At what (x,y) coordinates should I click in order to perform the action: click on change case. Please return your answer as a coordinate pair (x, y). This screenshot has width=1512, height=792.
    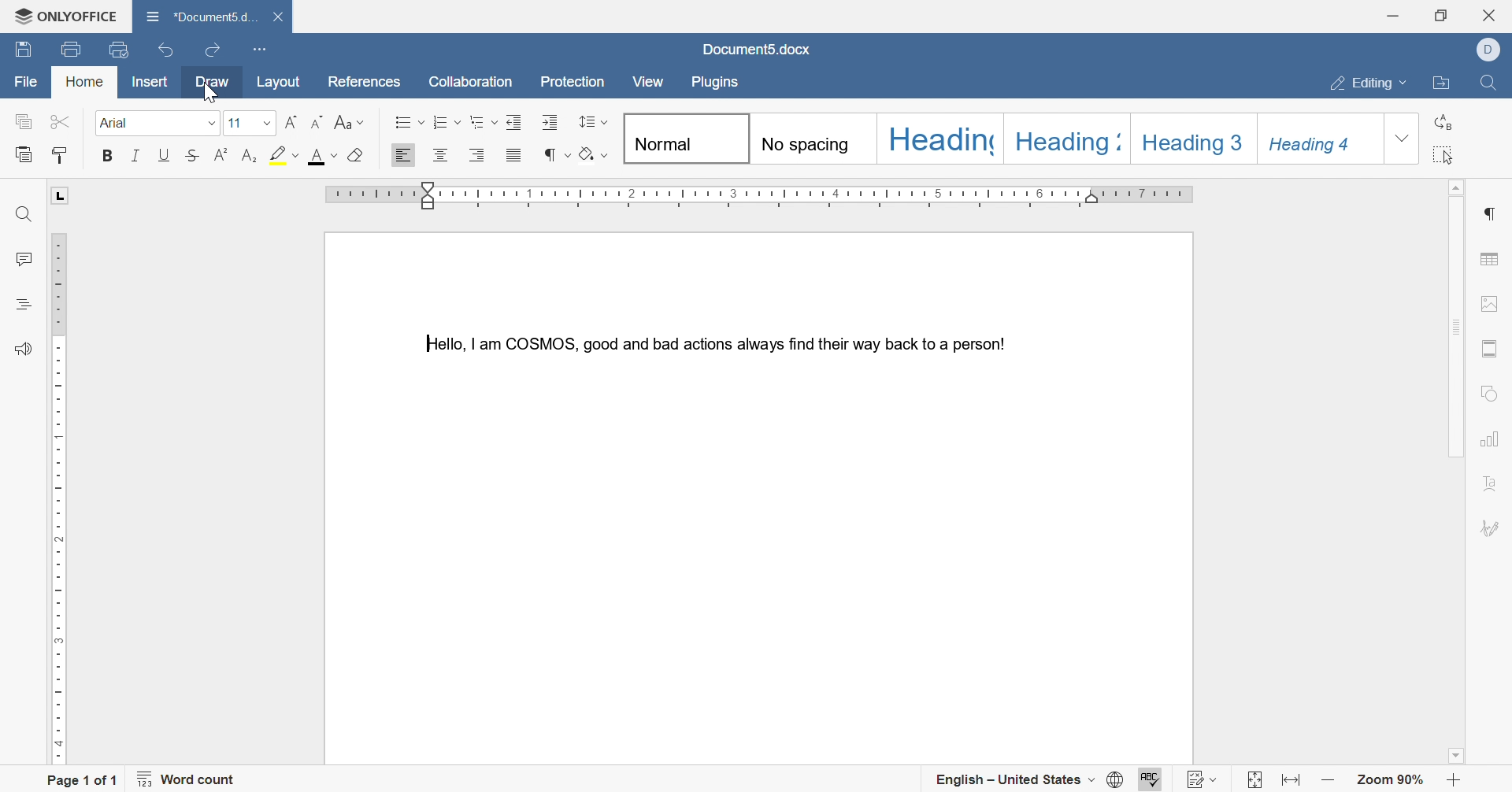
    Looking at the image, I should click on (350, 122).